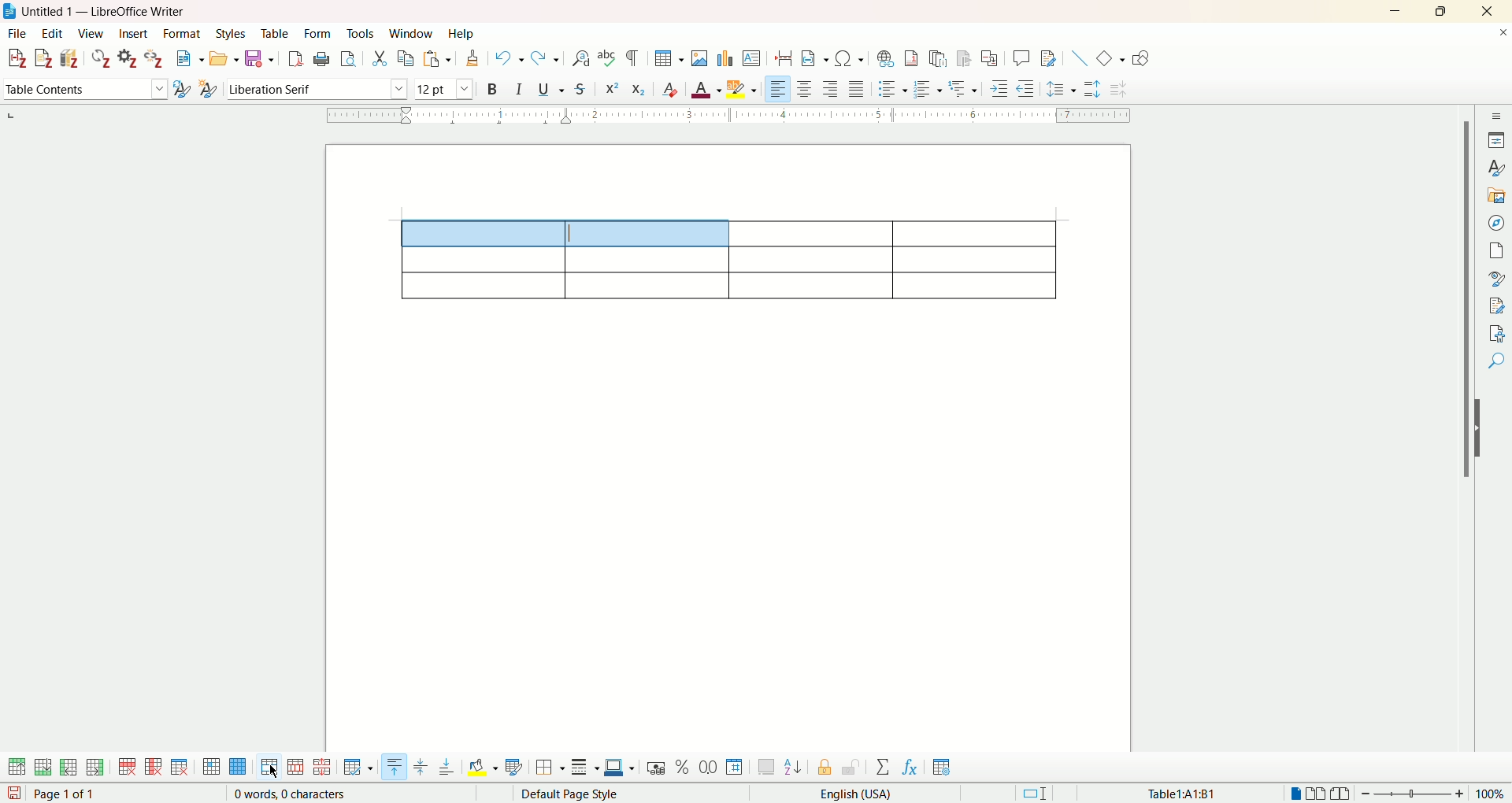 This screenshot has height=803, width=1512. Describe the element at coordinates (503, 58) in the screenshot. I see `undo` at that location.